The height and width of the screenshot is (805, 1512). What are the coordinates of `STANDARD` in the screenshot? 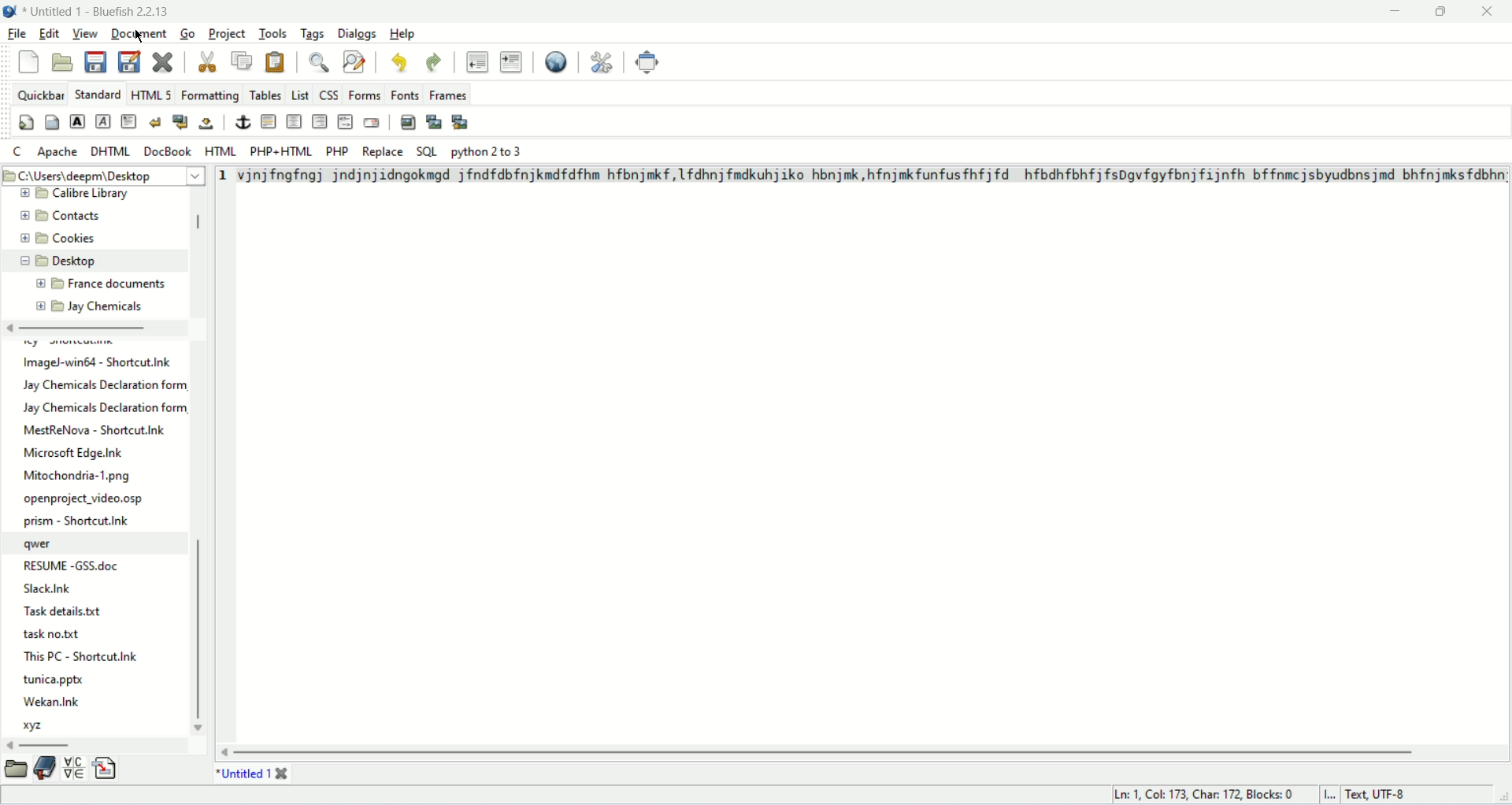 It's located at (98, 94).